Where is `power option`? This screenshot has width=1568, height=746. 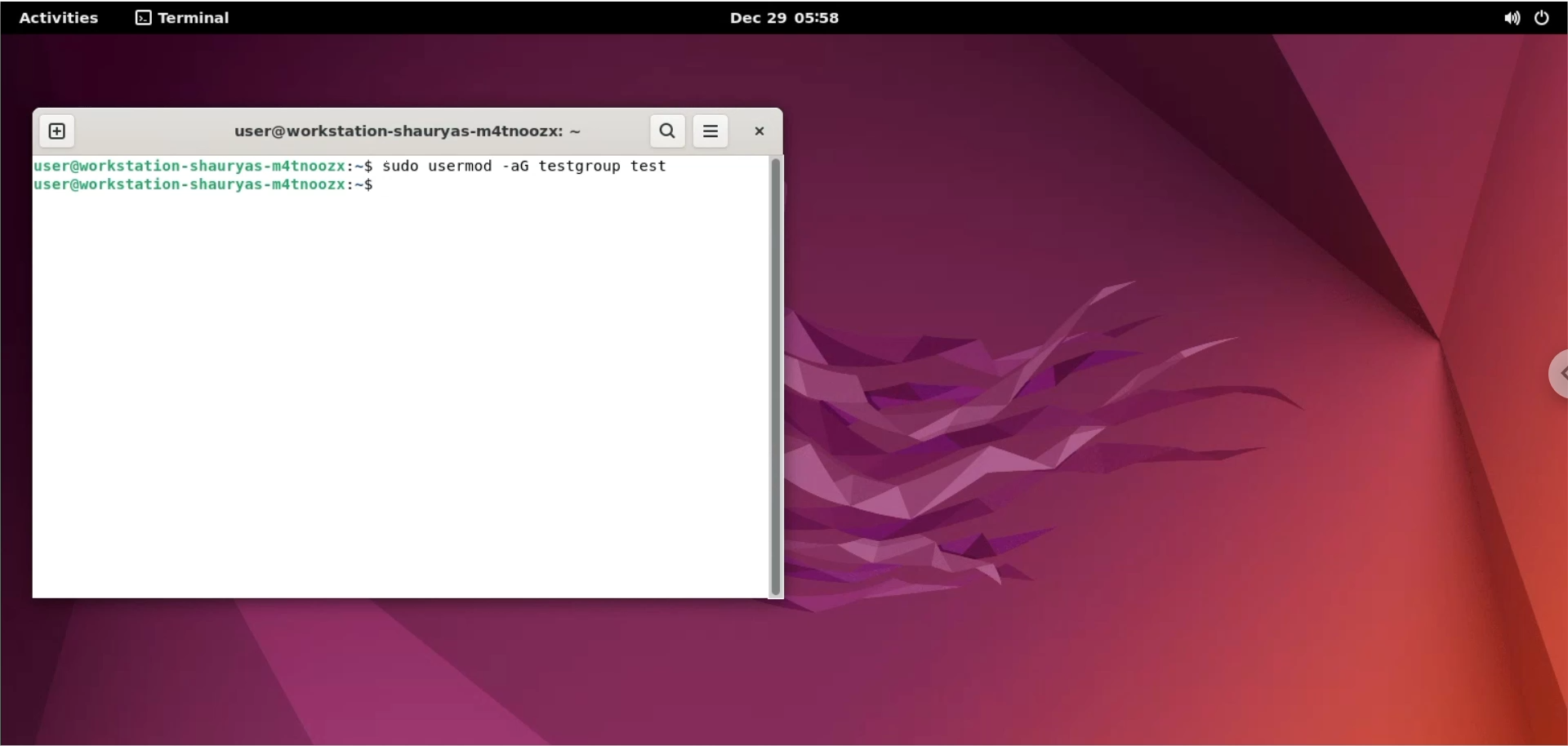 power option is located at coordinates (1548, 17).